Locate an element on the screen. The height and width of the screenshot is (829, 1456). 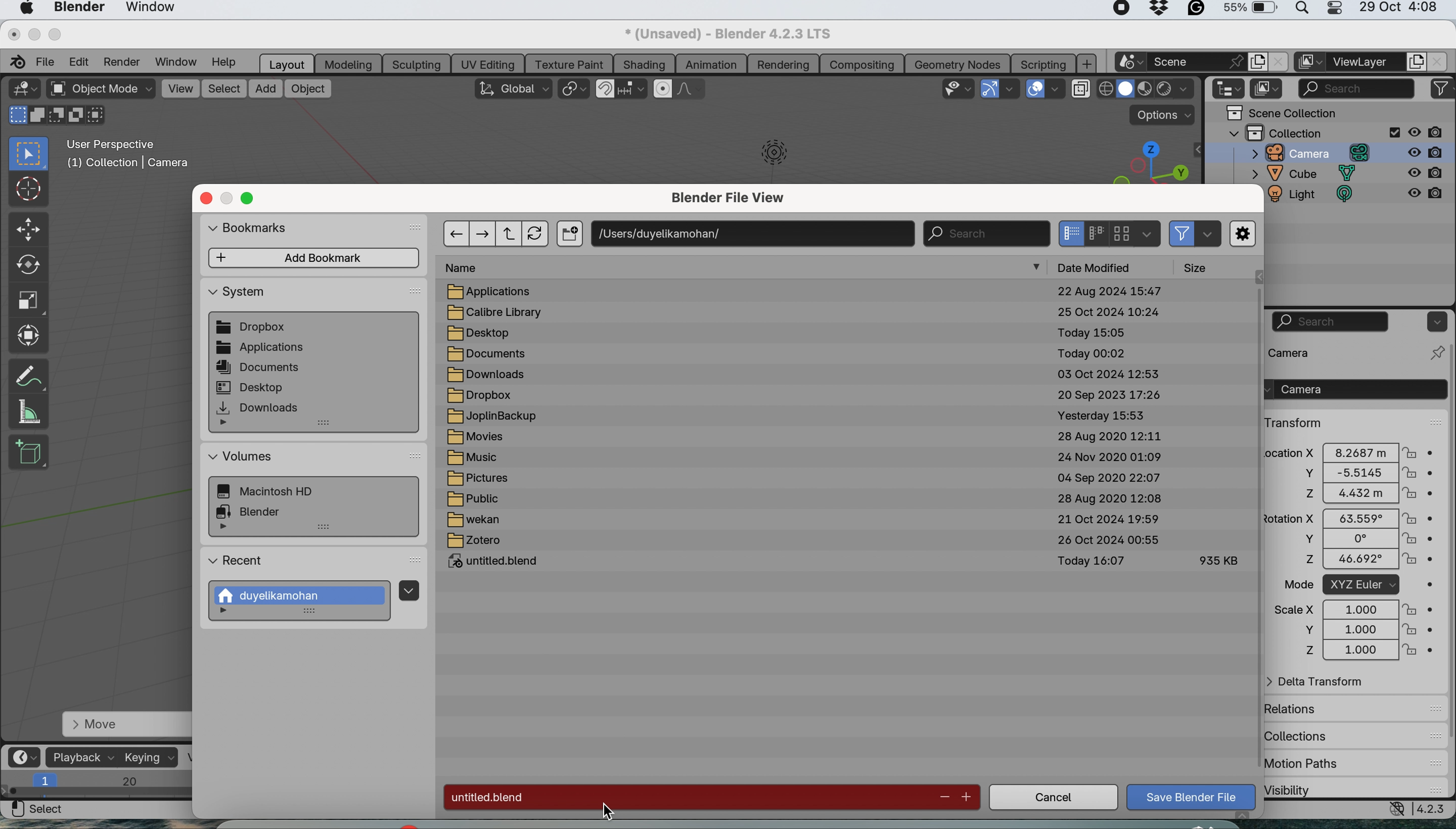
joplin backup is located at coordinates (494, 417).